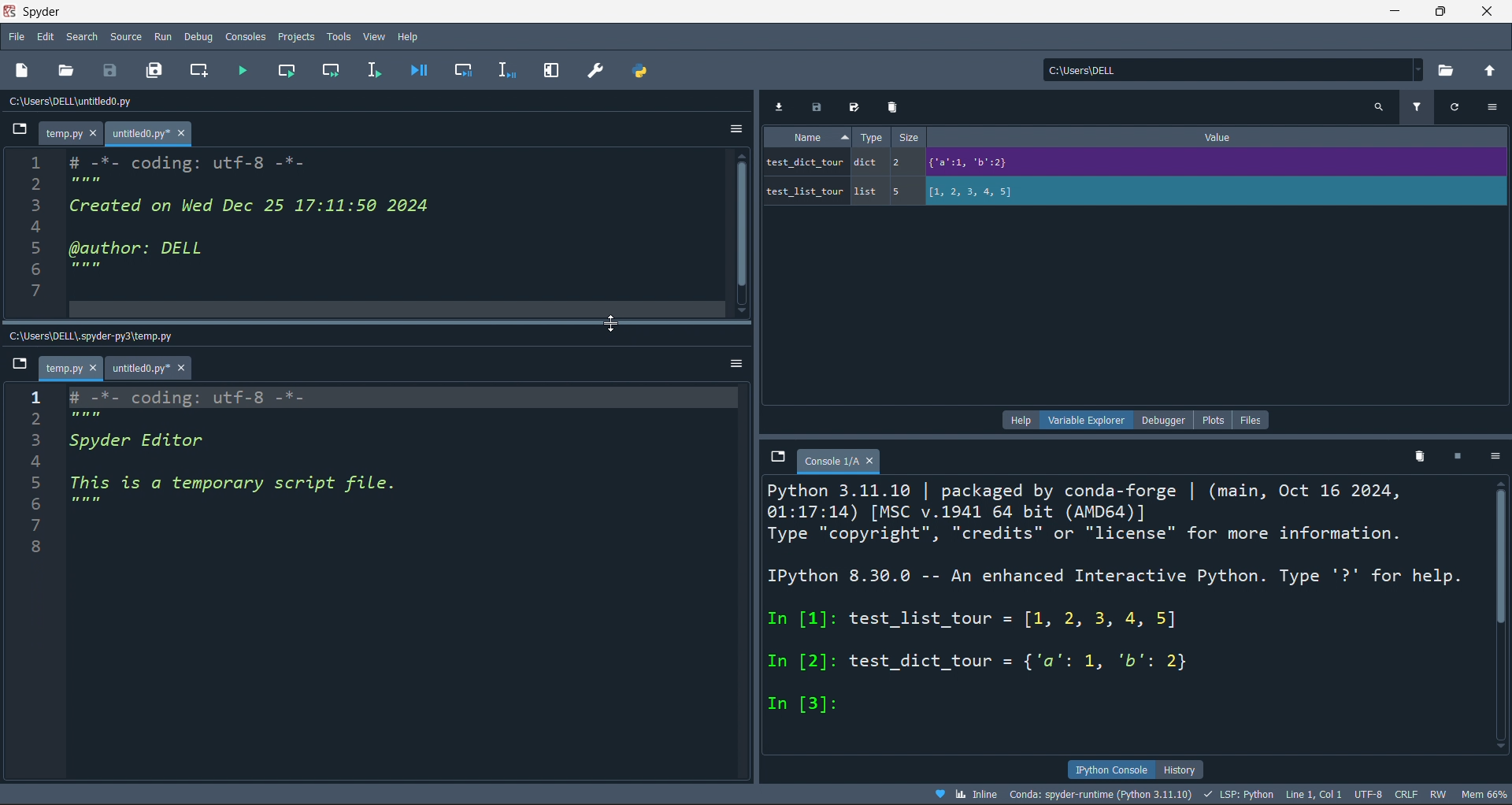 The width and height of the screenshot is (1512, 805). Describe the element at coordinates (891, 107) in the screenshot. I see `delete ` at that location.